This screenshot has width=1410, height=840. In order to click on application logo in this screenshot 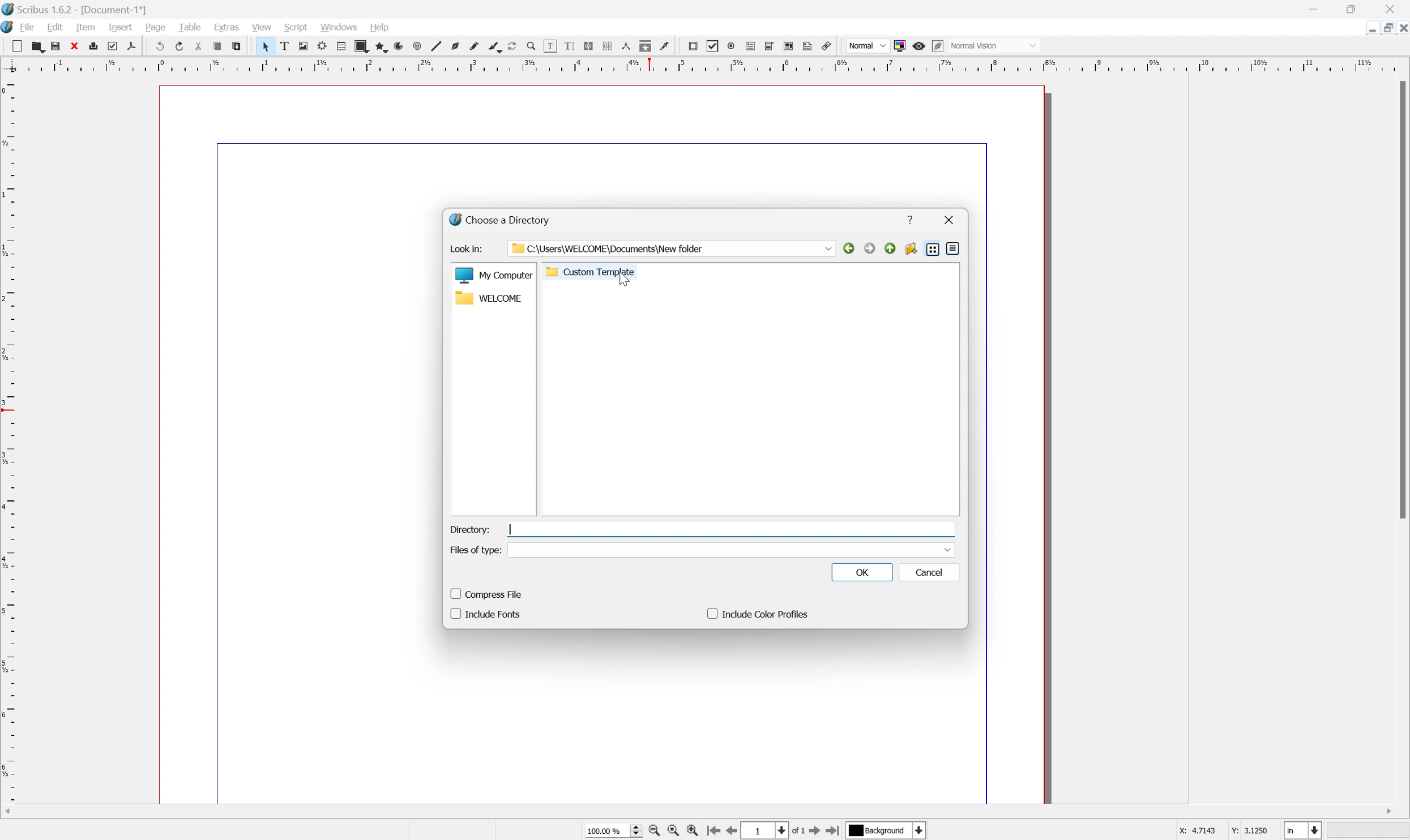, I will do `click(9, 27)`.